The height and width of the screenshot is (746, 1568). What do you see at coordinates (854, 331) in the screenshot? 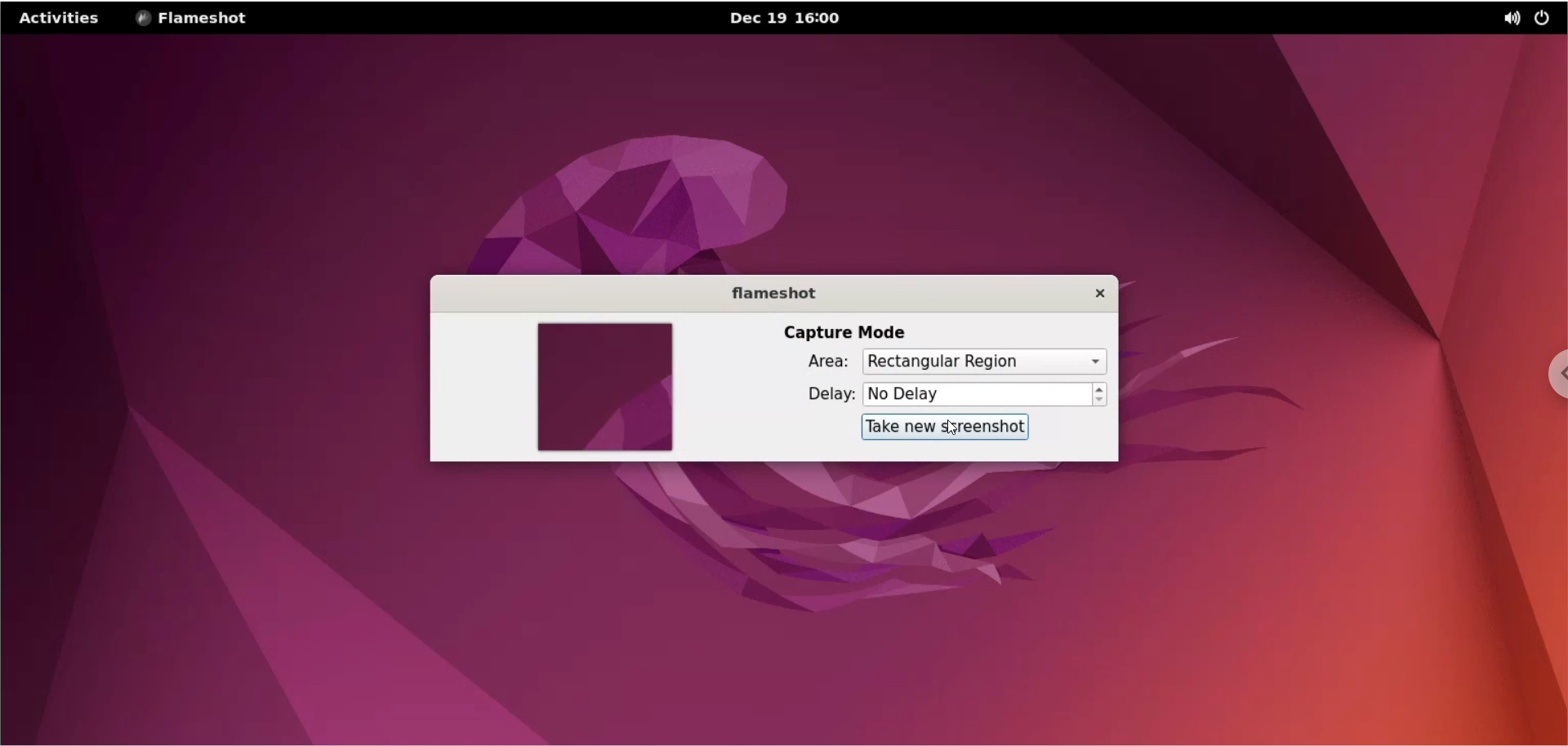
I see `capture mode label` at bounding box center [854, 331].